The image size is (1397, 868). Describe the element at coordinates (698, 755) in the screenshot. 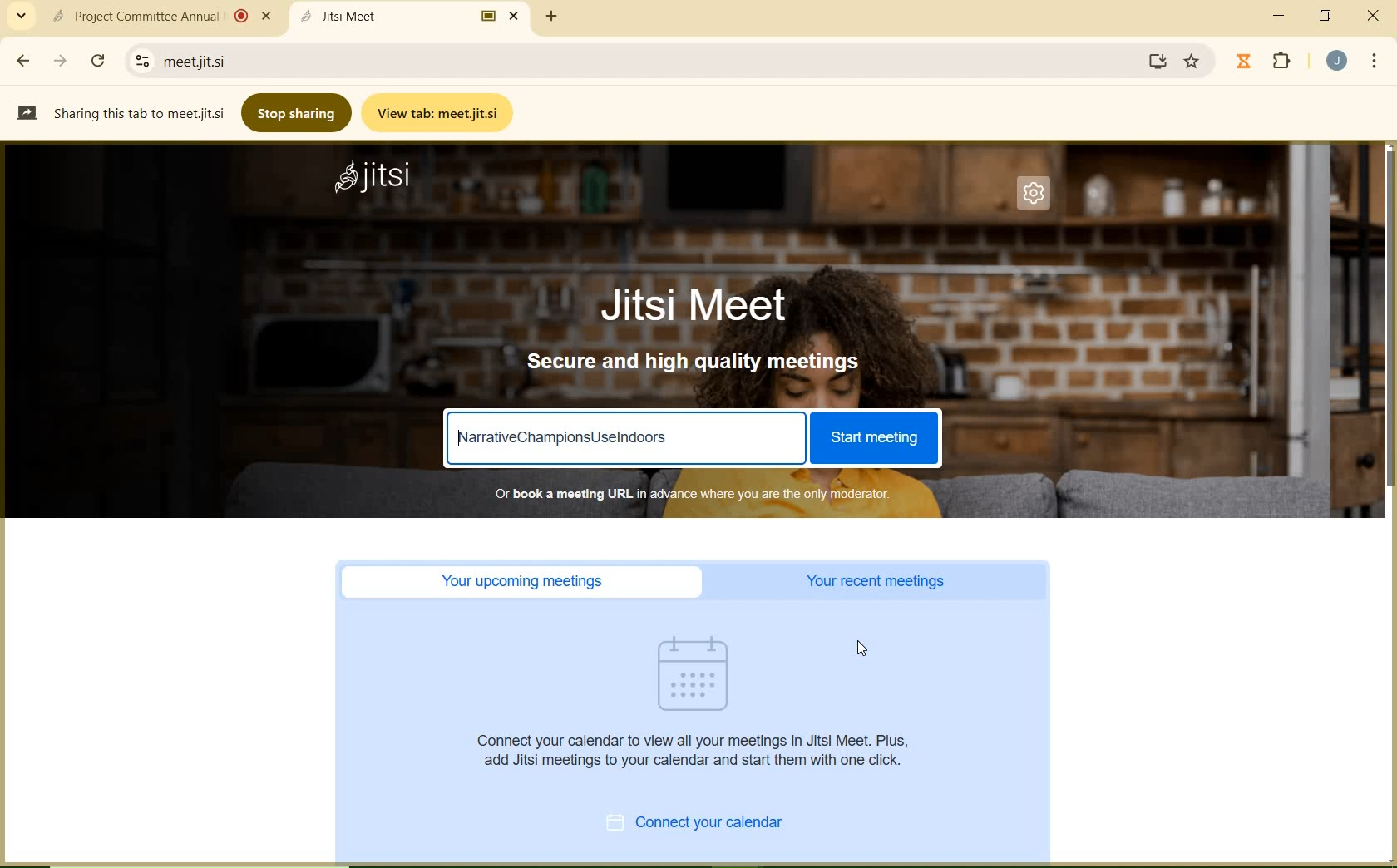

I see `Connect your calendar to view all your meetings in Jitsi Meet. Plus,
add Jitsi meetings to your calendar and start them with one click.` at that location.